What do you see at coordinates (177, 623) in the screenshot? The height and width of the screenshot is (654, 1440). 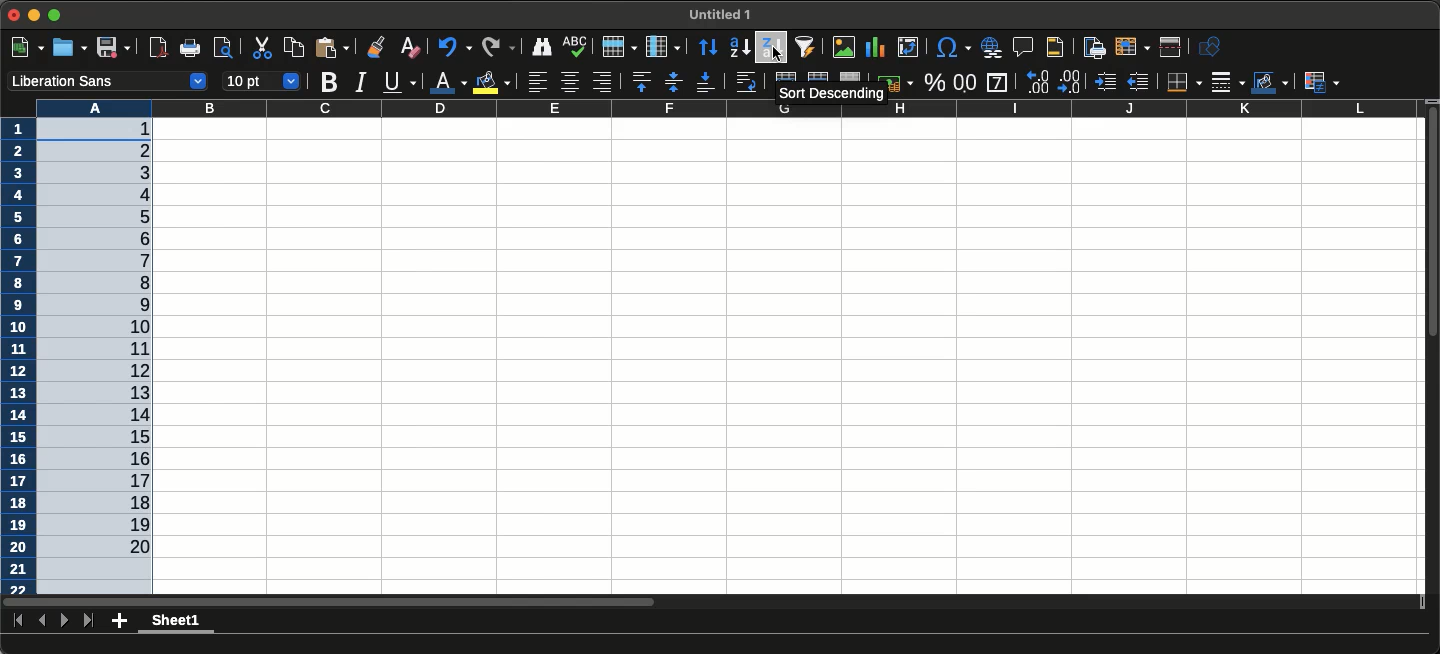 I see `Current sheet` at bounding box center [177, 623].